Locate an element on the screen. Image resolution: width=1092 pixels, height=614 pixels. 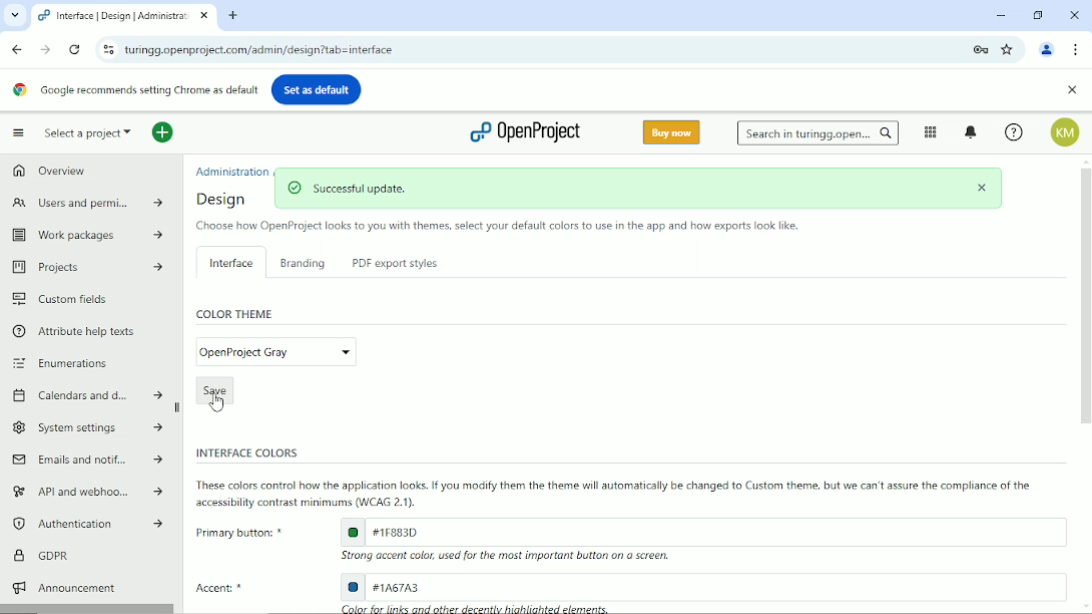
edit color theme (current color theme: OpenProject gray) is located at coordinates (276, 351).